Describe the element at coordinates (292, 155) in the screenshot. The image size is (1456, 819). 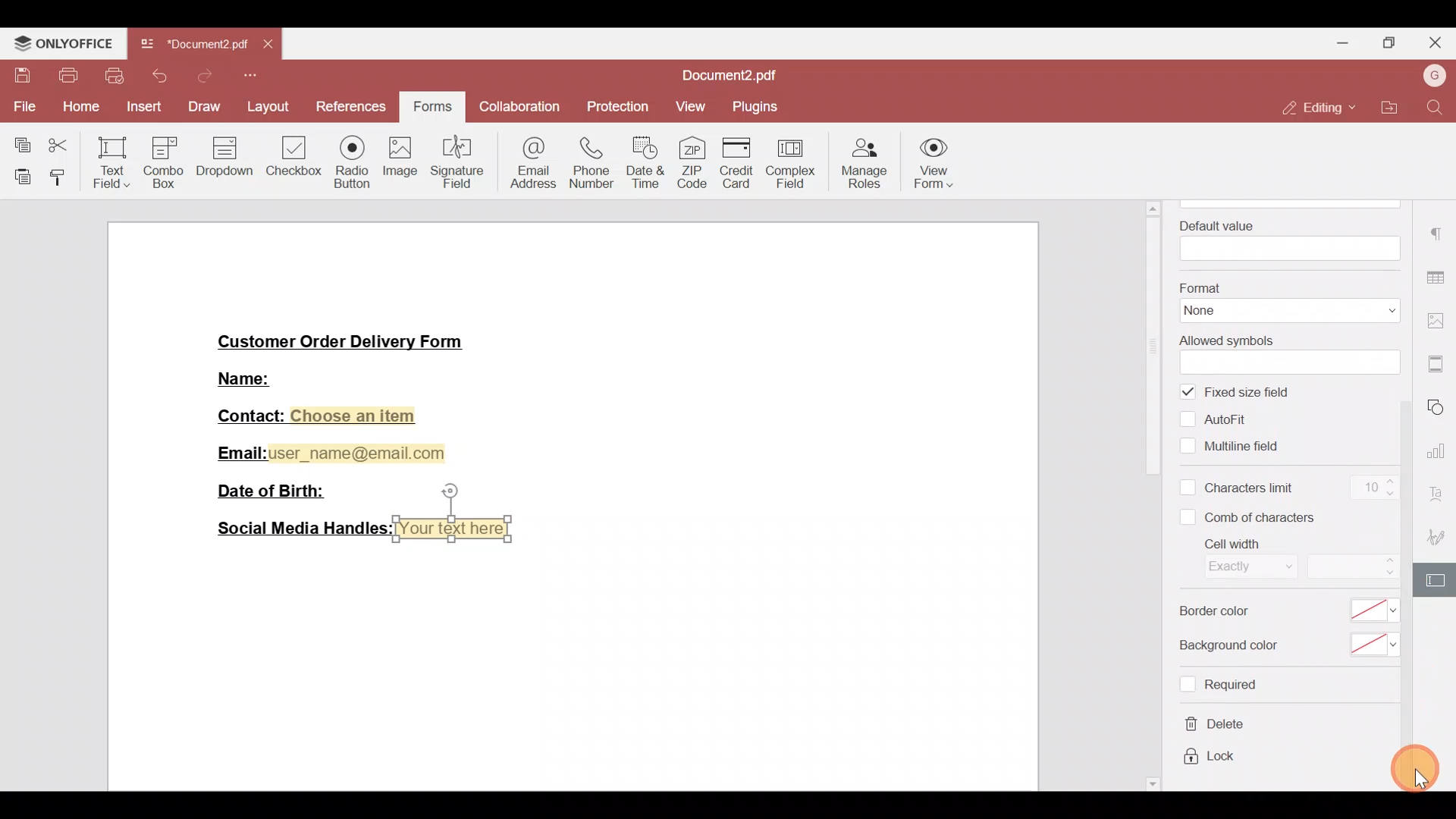
I see `Checkbox` at that location.